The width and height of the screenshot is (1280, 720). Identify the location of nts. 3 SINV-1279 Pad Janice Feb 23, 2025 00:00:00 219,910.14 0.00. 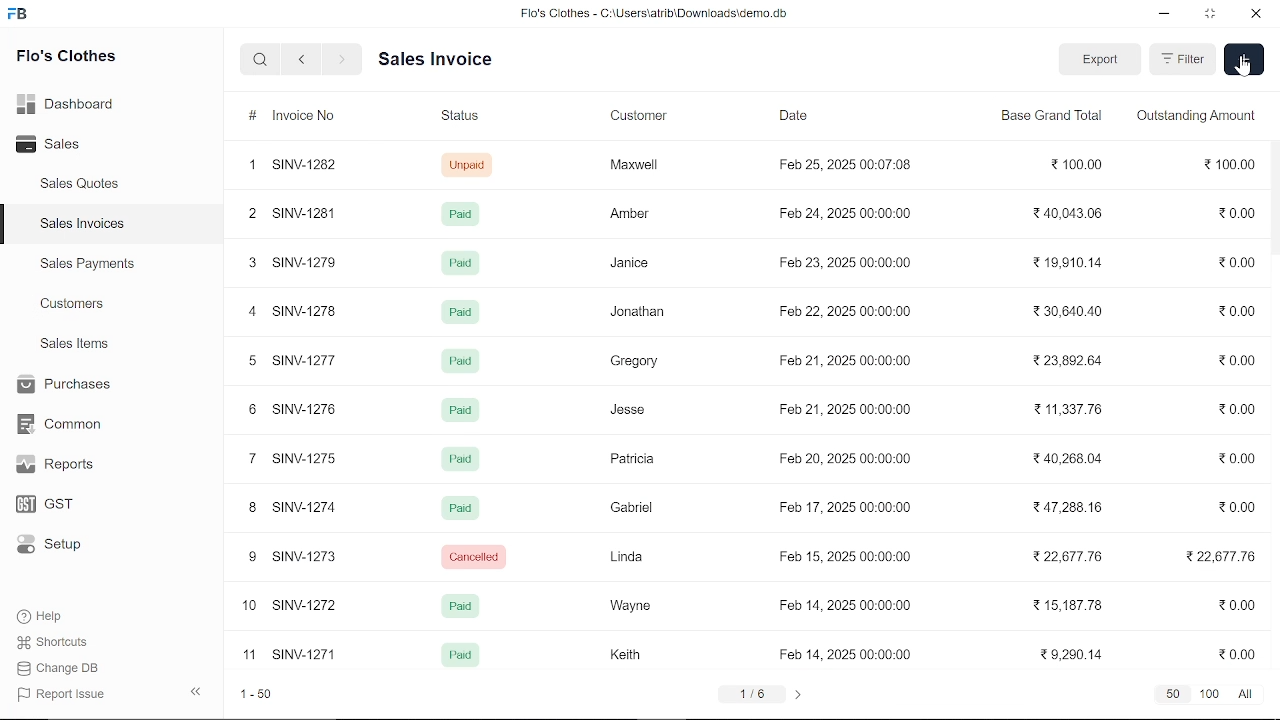
(754, 265).